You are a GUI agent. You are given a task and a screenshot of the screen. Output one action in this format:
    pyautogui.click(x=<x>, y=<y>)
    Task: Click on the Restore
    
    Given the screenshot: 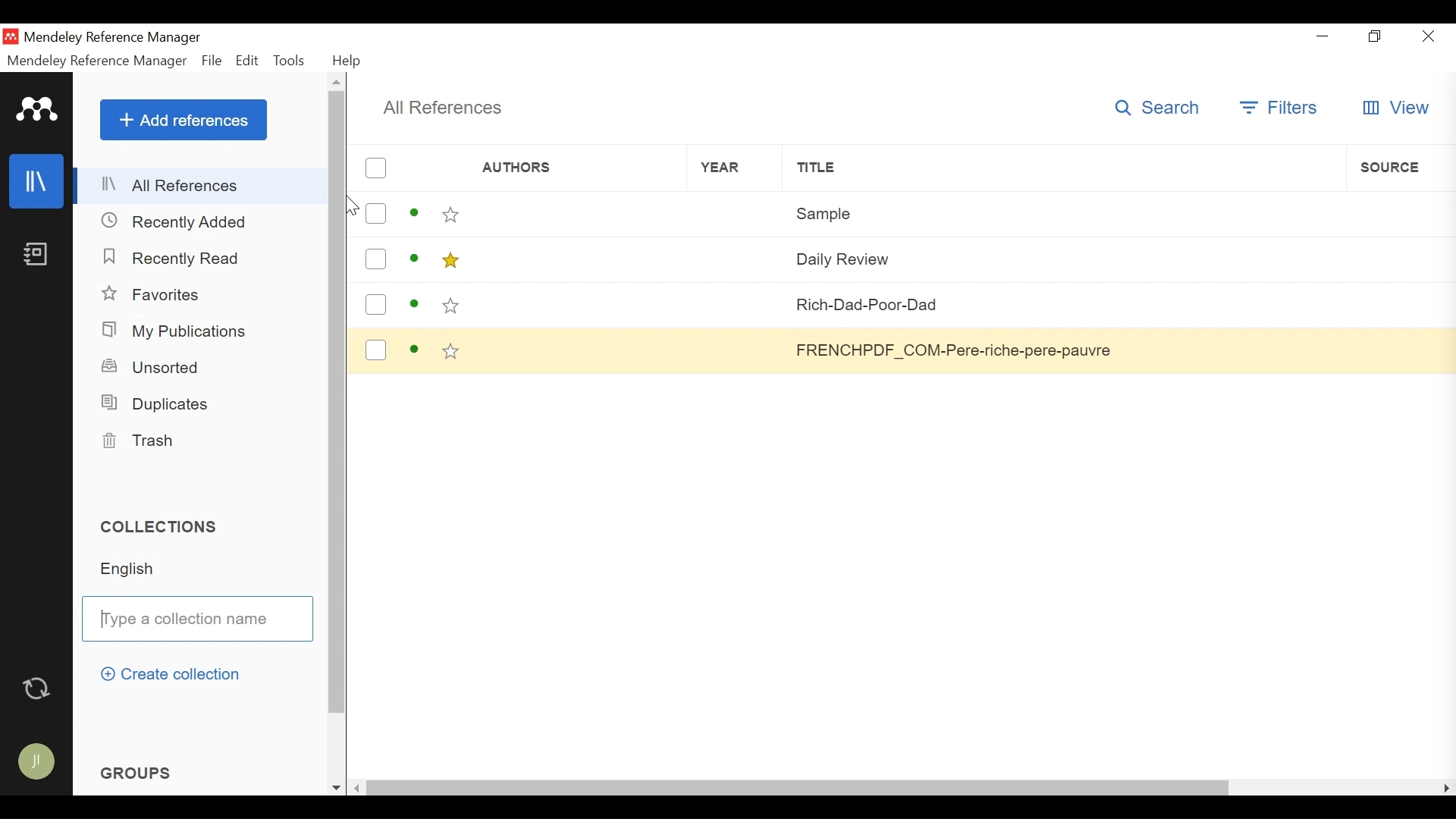 What is the action you would take?
    pyautogui.click(x=1376, y=37)
    